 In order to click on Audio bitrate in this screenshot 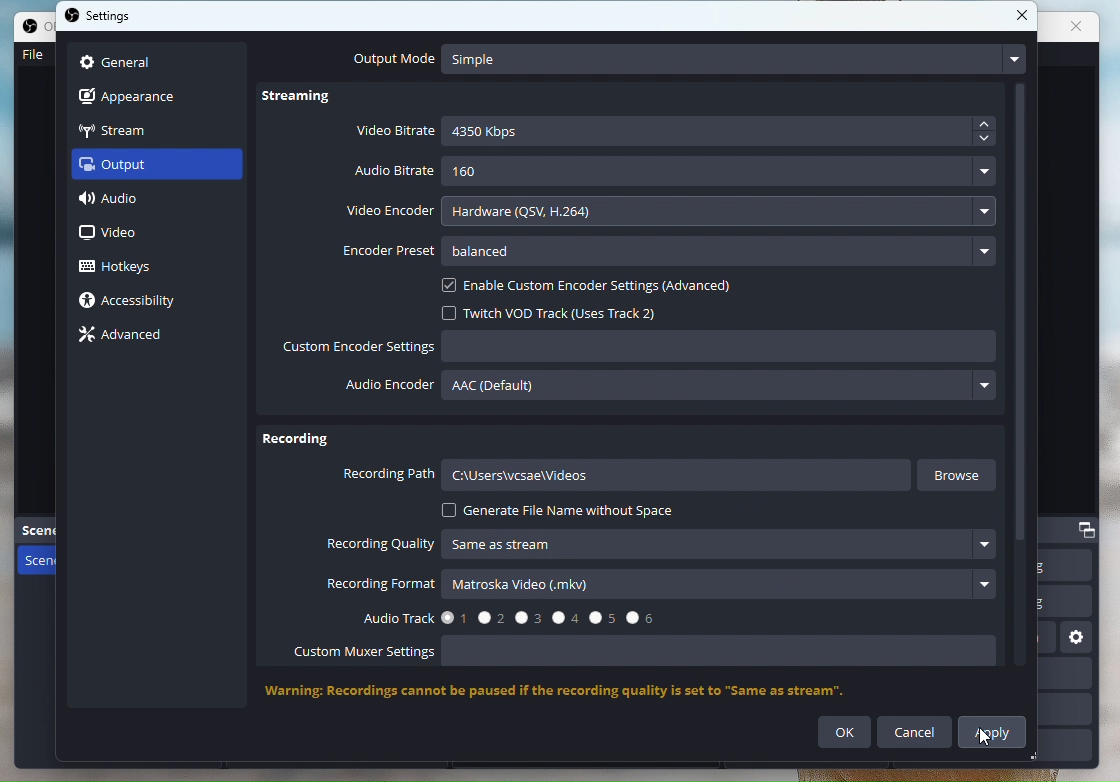, I will do `click(677, 172)`.